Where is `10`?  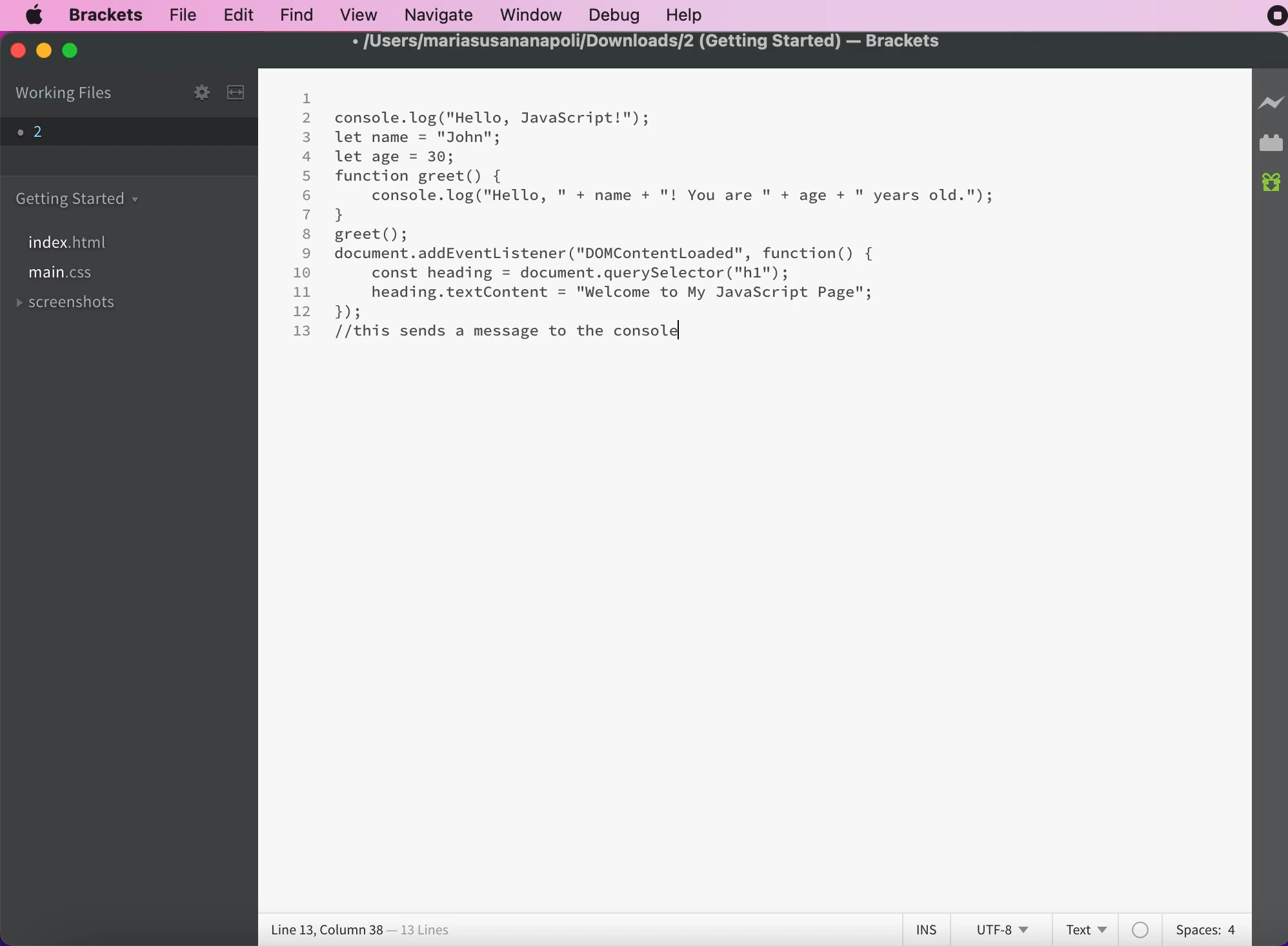
10 is located at coordinates (304, 273).